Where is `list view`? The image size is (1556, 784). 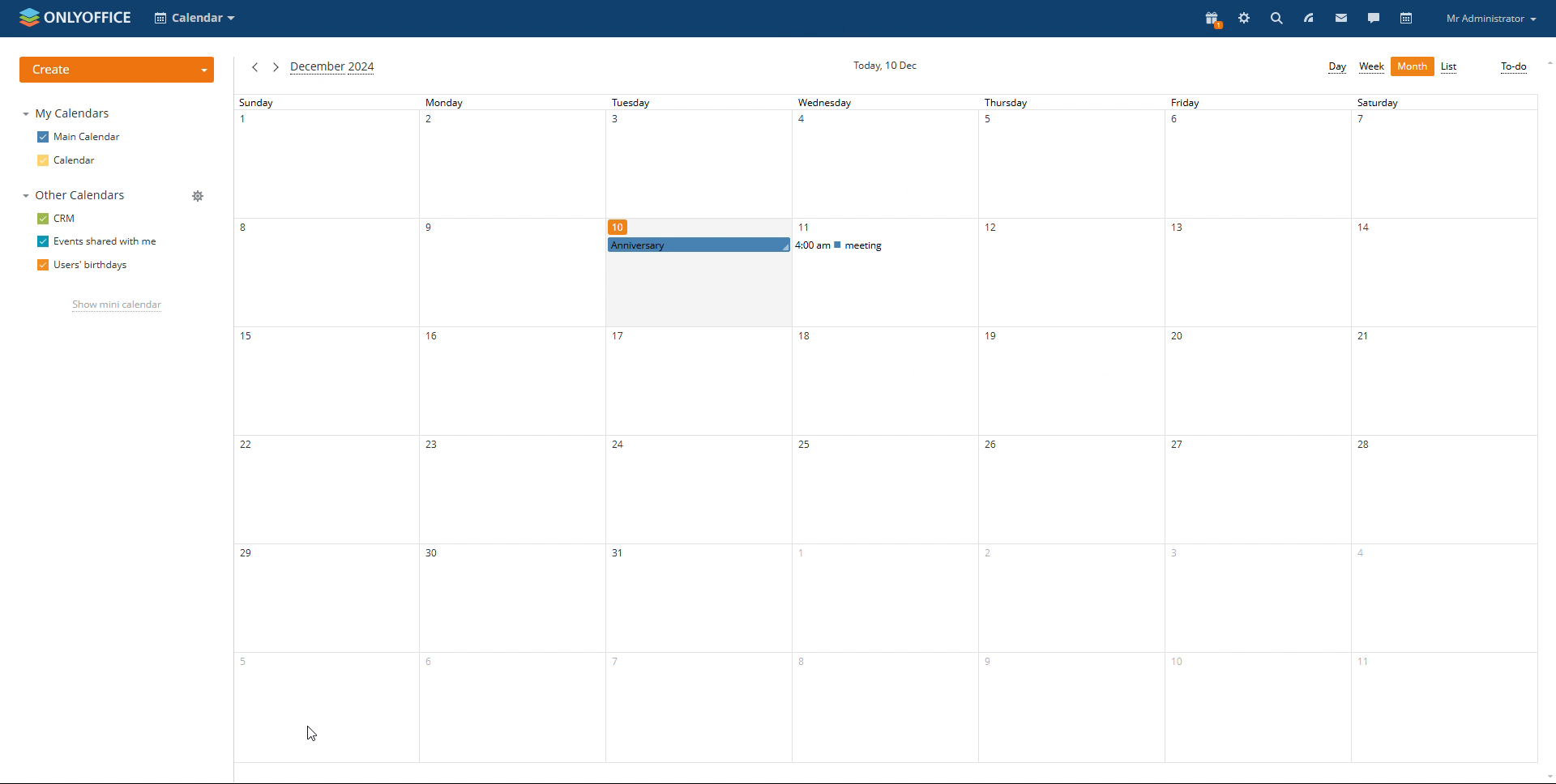 list view is located at coordinates (1450, 68).